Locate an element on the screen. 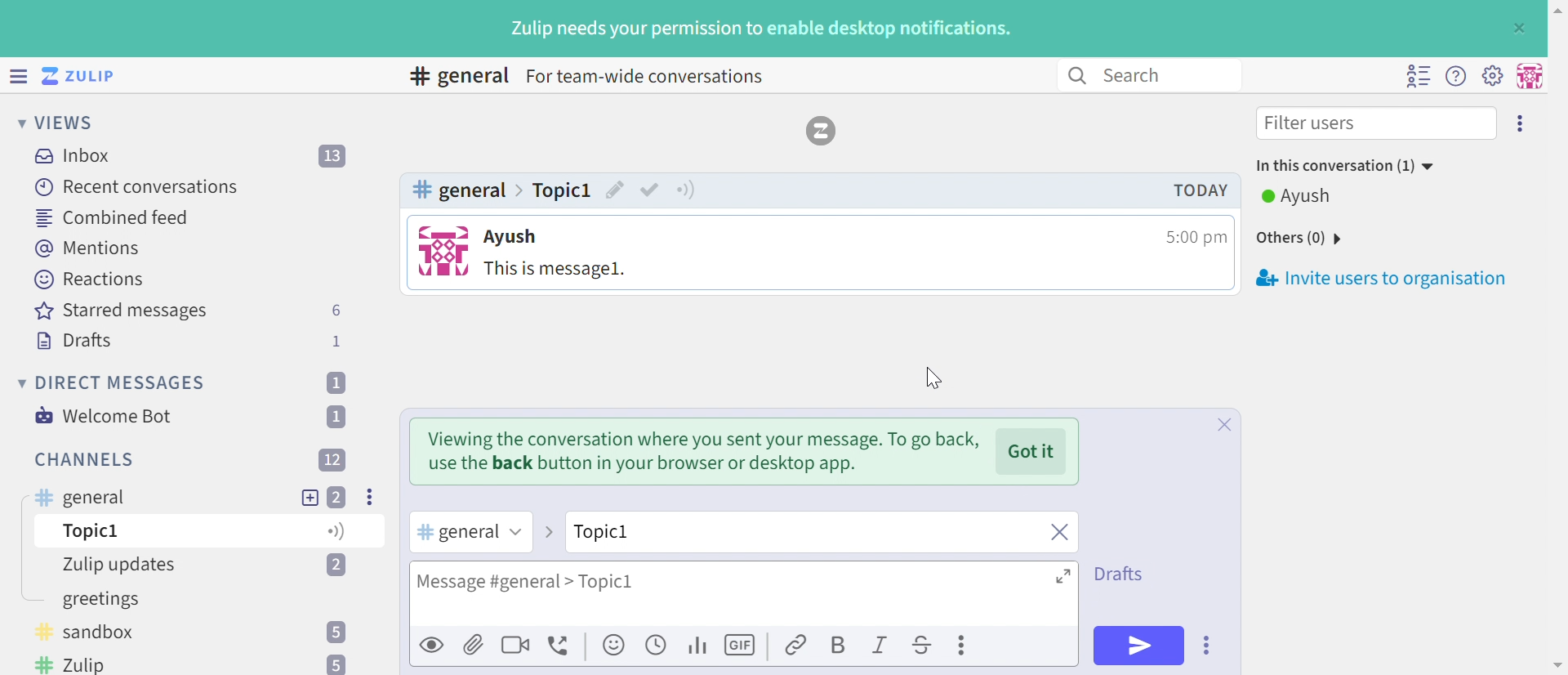  Main menu is located at coordinates (1492, 74).